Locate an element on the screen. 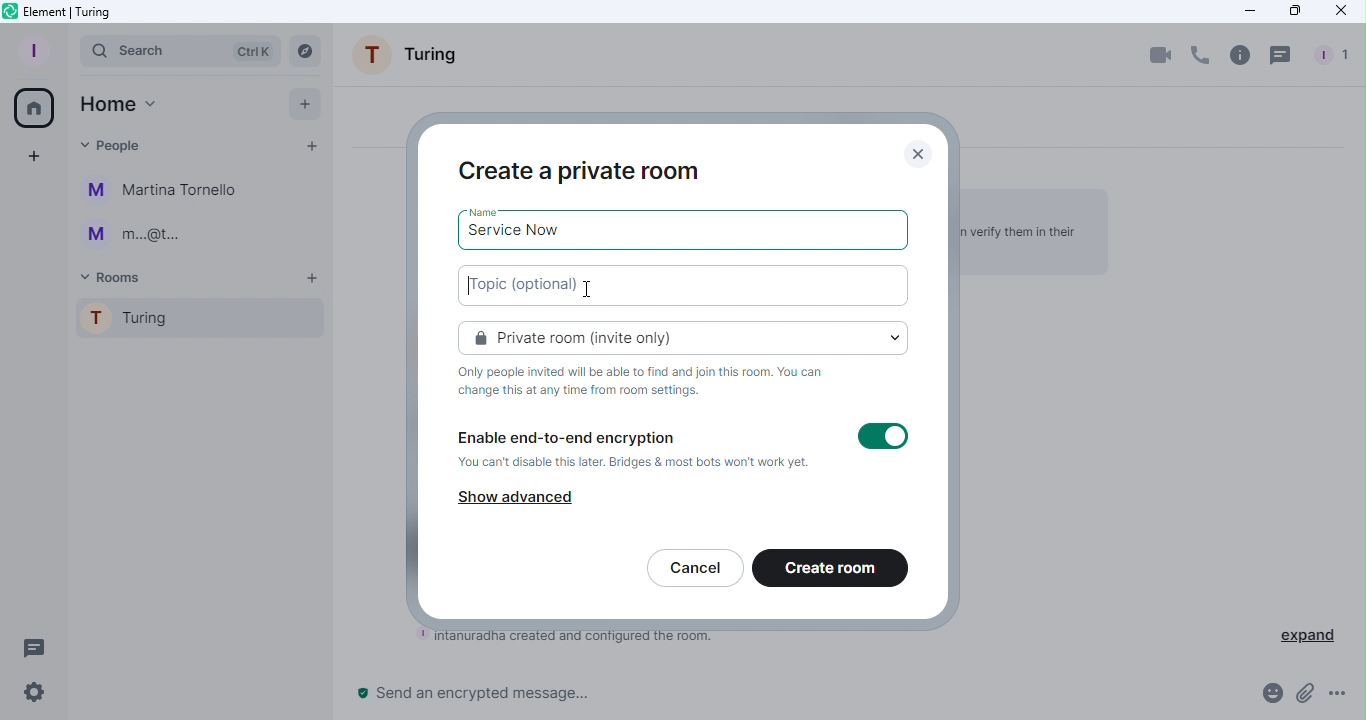 The height and width of the screenshot is (720, 1366). Create a private room is located at coordinates (582, 169).